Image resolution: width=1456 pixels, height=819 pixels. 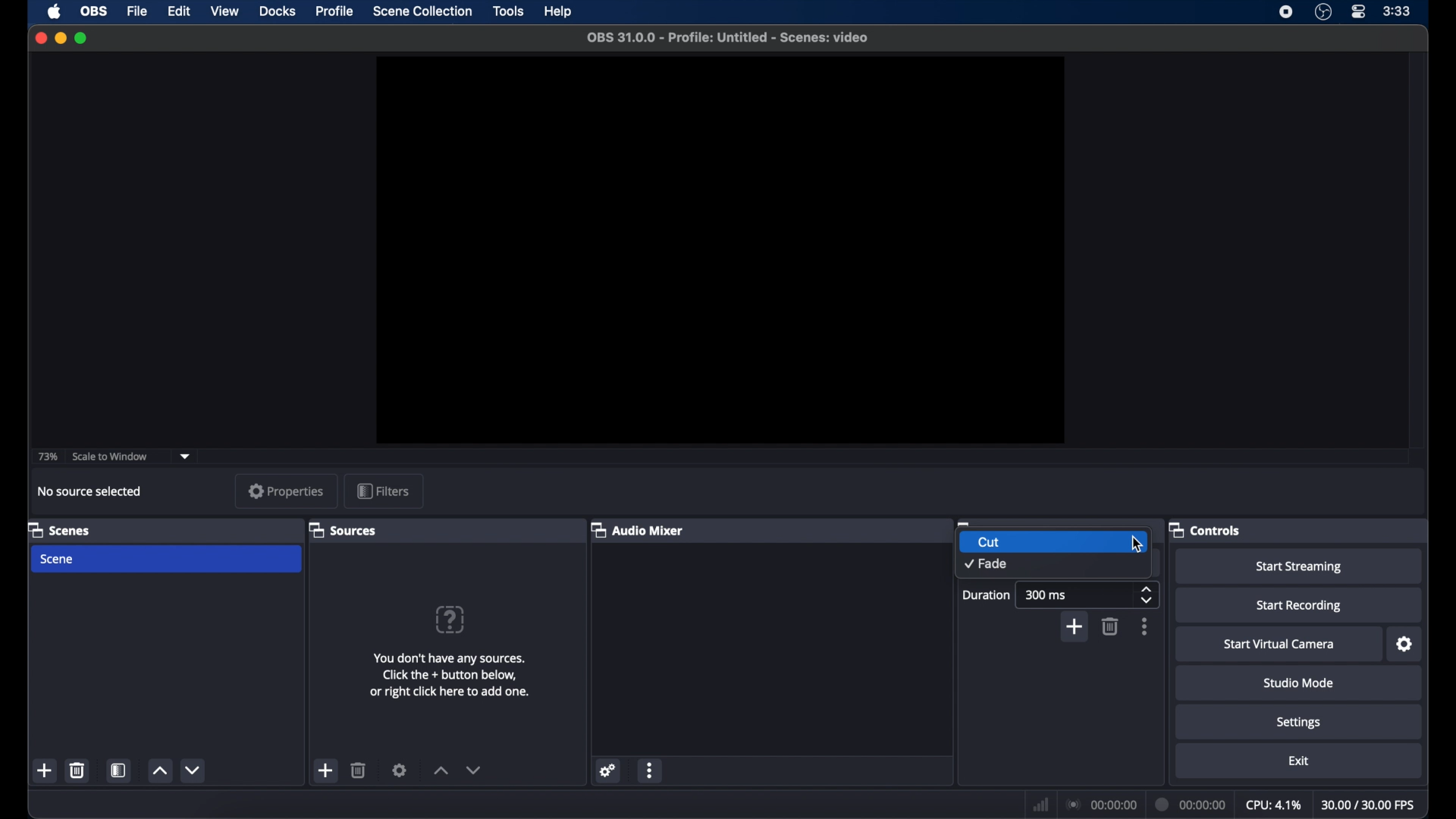 I want to click on properties, so click(x=287, y=491).